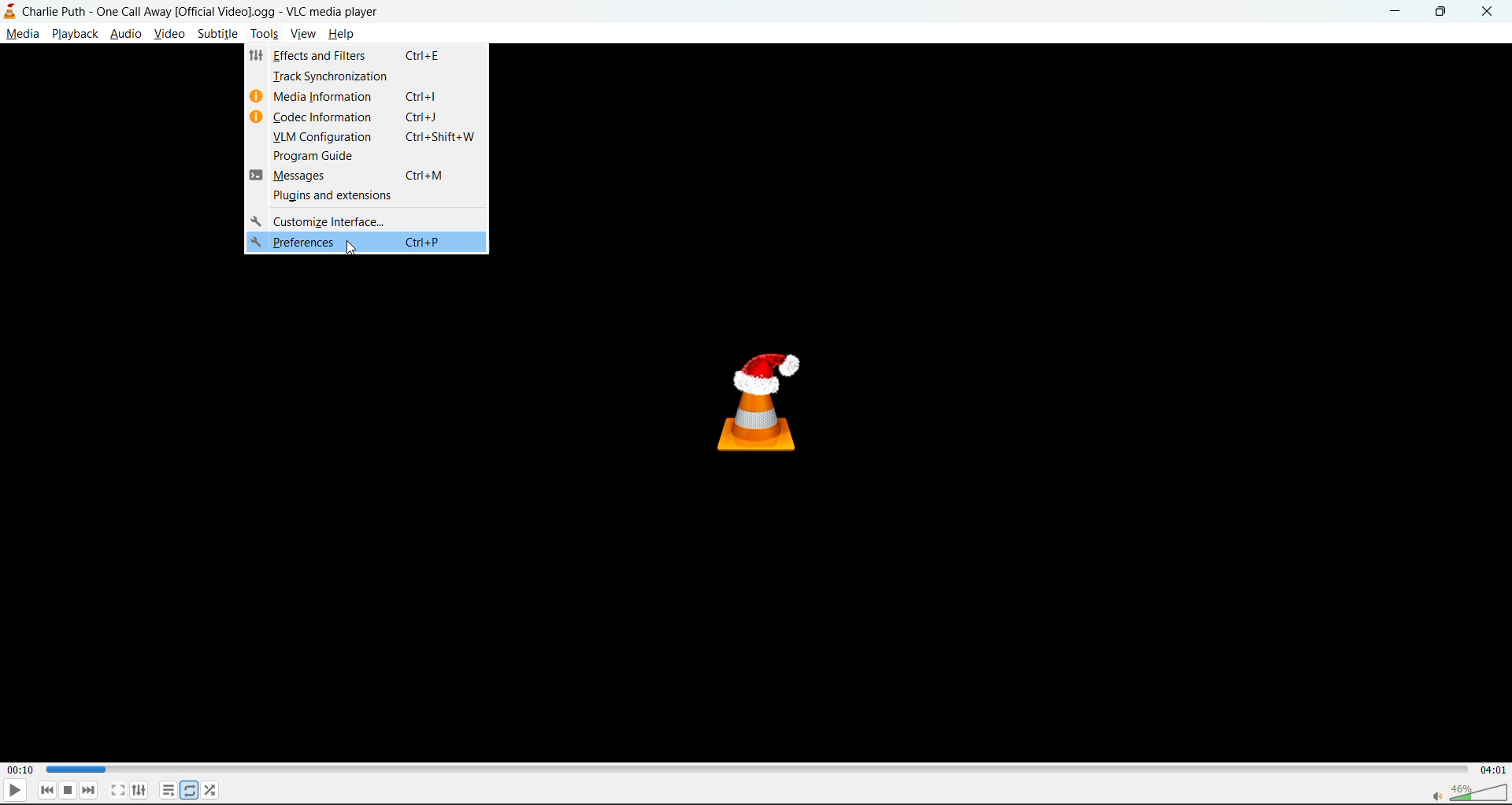 The width and height of the screenshot is (1512, 805). I want to click on video, so click(172, 35).